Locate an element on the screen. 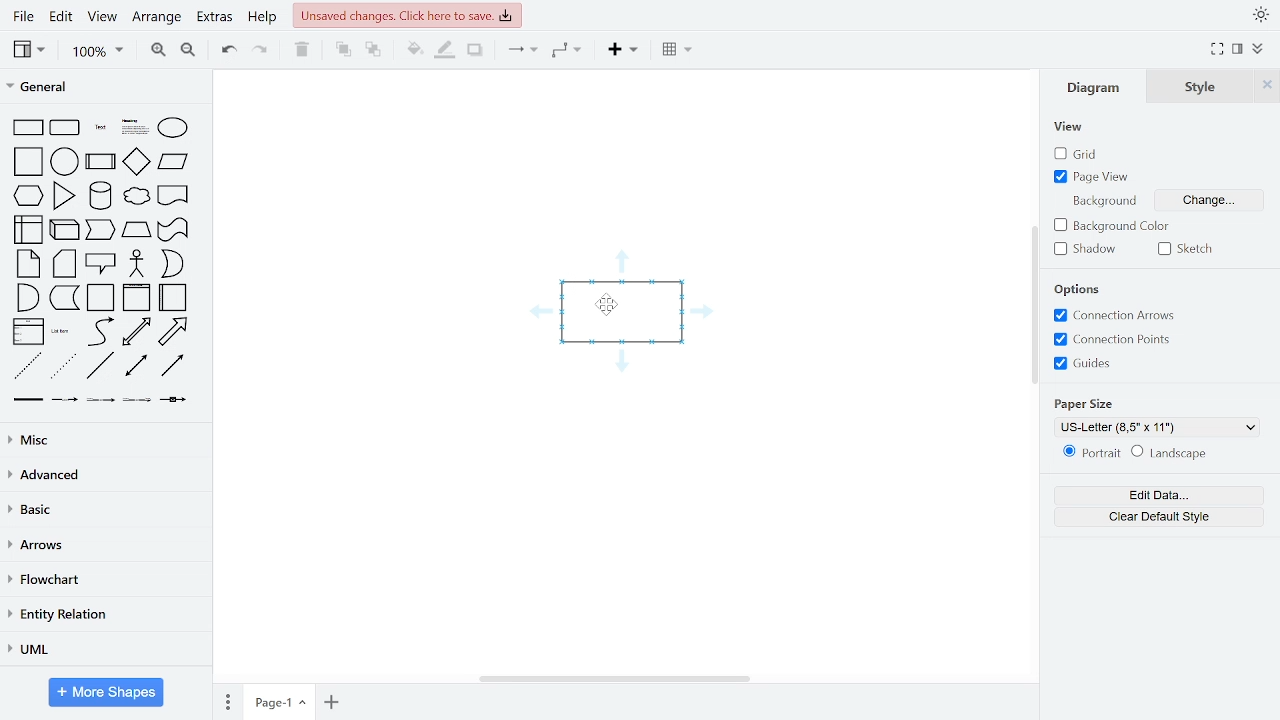 This screenshot has width=1280, height=720. pages is located at coordinates (227, 701).